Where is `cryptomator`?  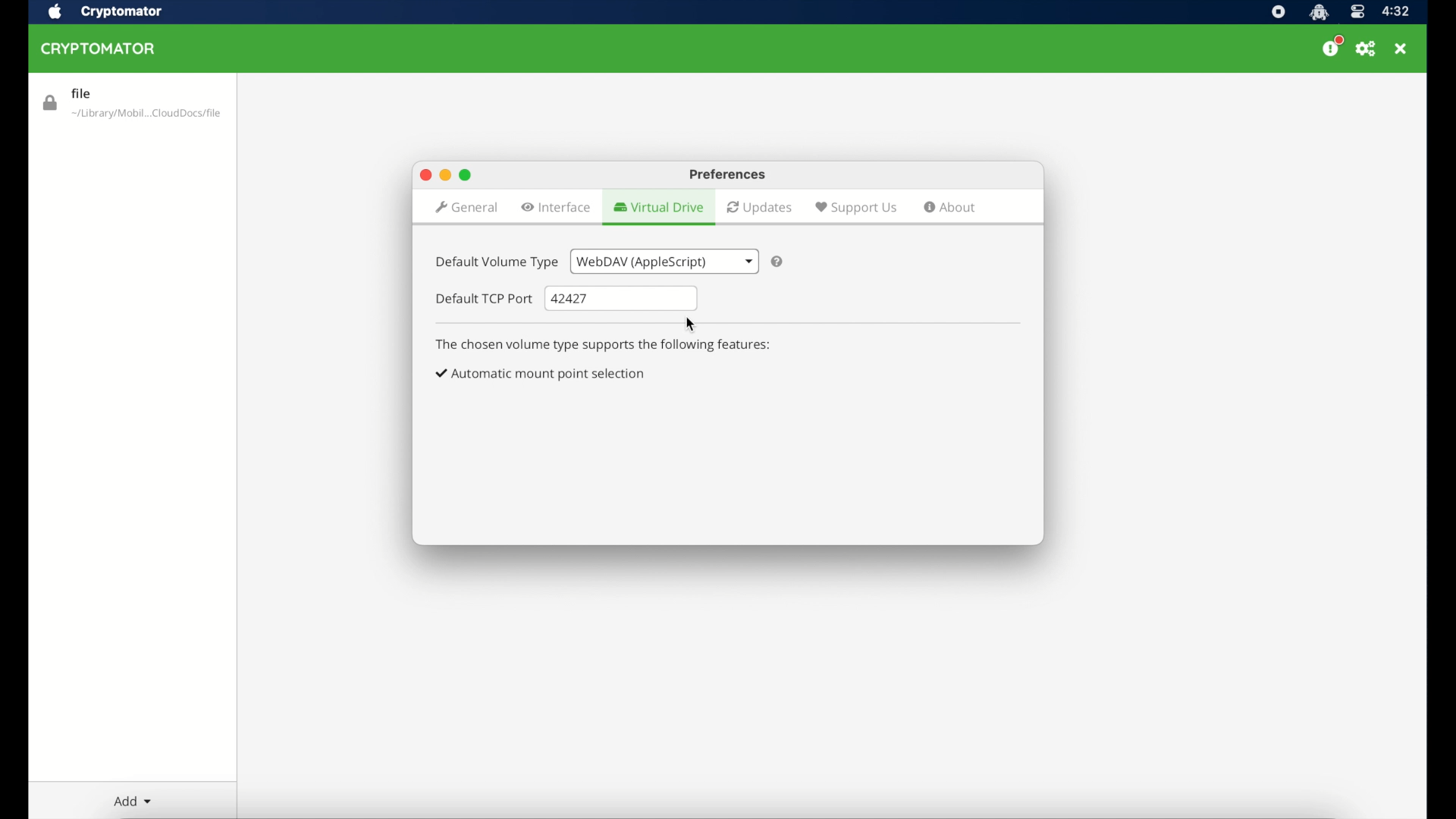 cryptomator is located at coordinates (121, 12).